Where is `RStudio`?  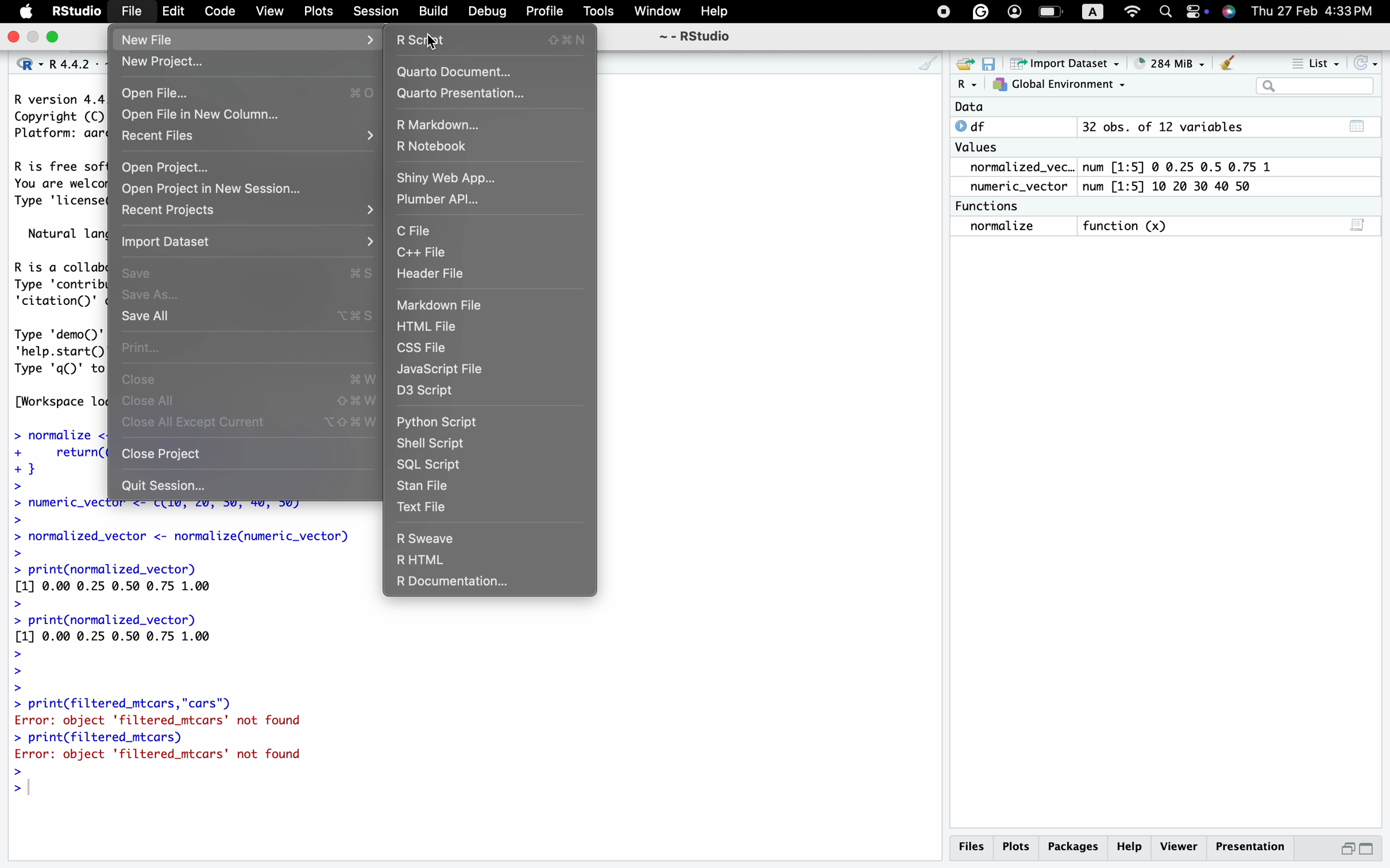
RStudio is located at coordinates (75, 11).